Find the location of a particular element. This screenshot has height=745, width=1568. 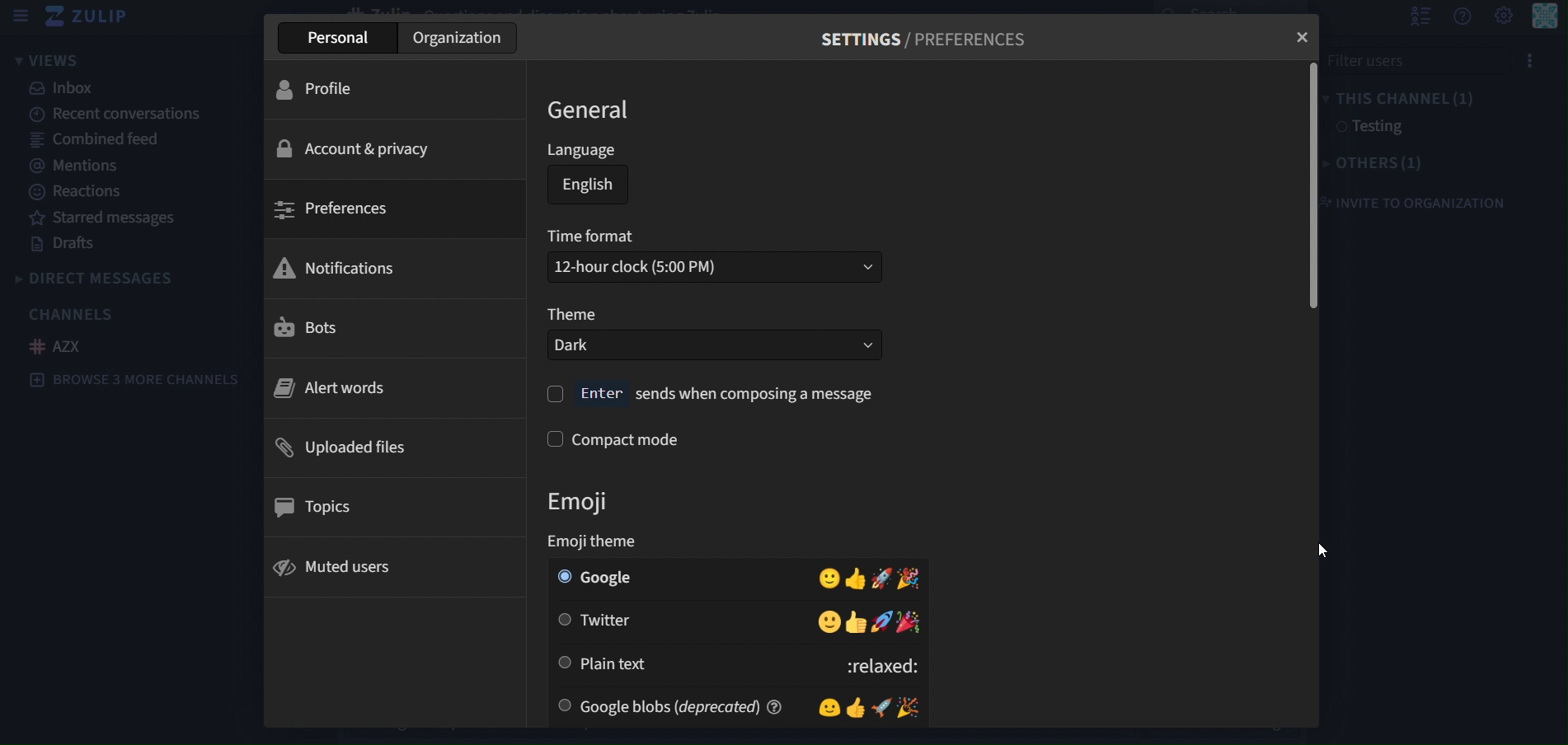

personal is located at coordinates (339, 38).